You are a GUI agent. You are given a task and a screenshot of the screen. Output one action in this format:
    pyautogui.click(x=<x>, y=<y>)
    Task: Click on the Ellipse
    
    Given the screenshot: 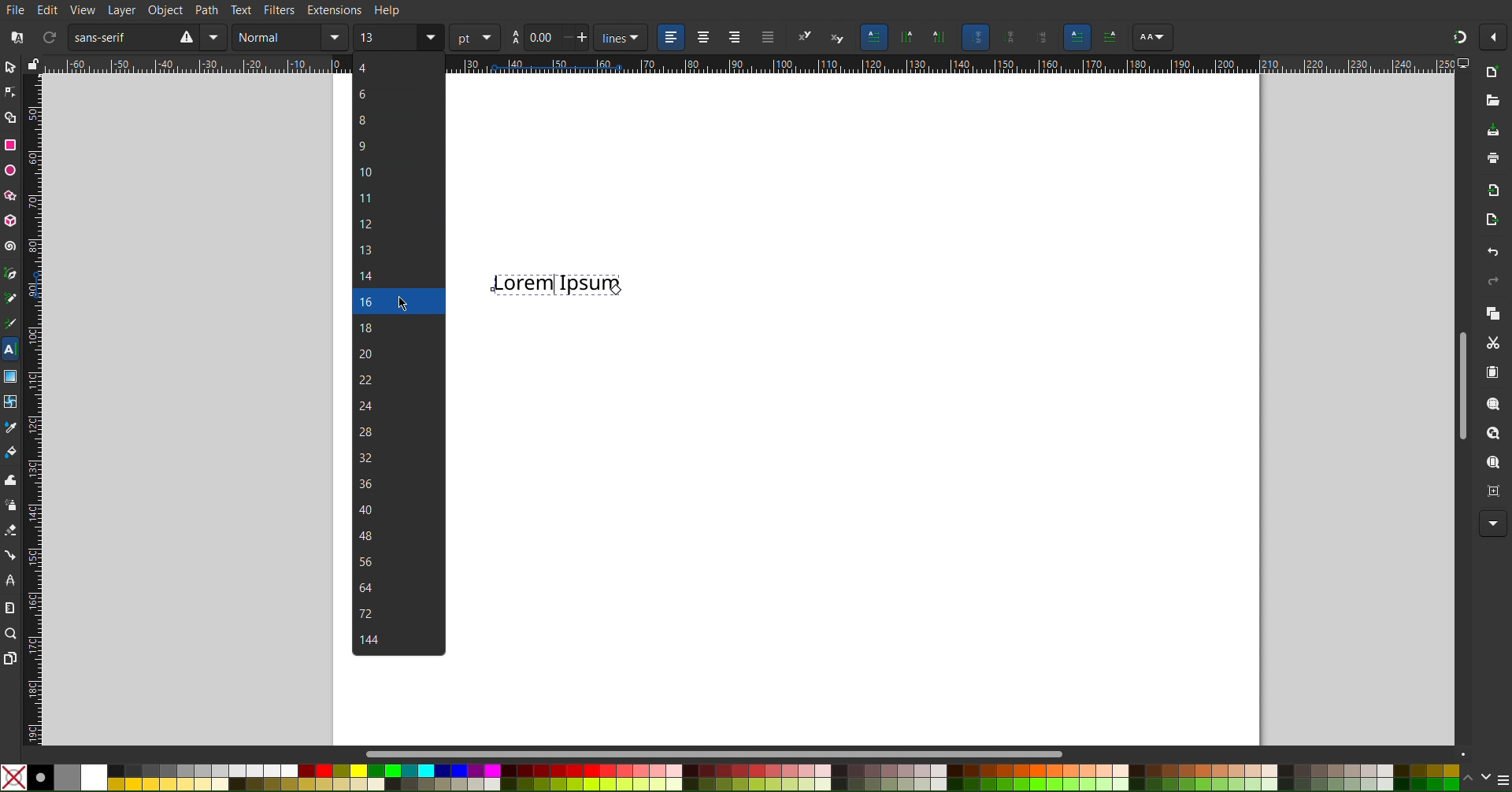 What is the action you would take?
    pyautogui.click(x=11, y=171)
    